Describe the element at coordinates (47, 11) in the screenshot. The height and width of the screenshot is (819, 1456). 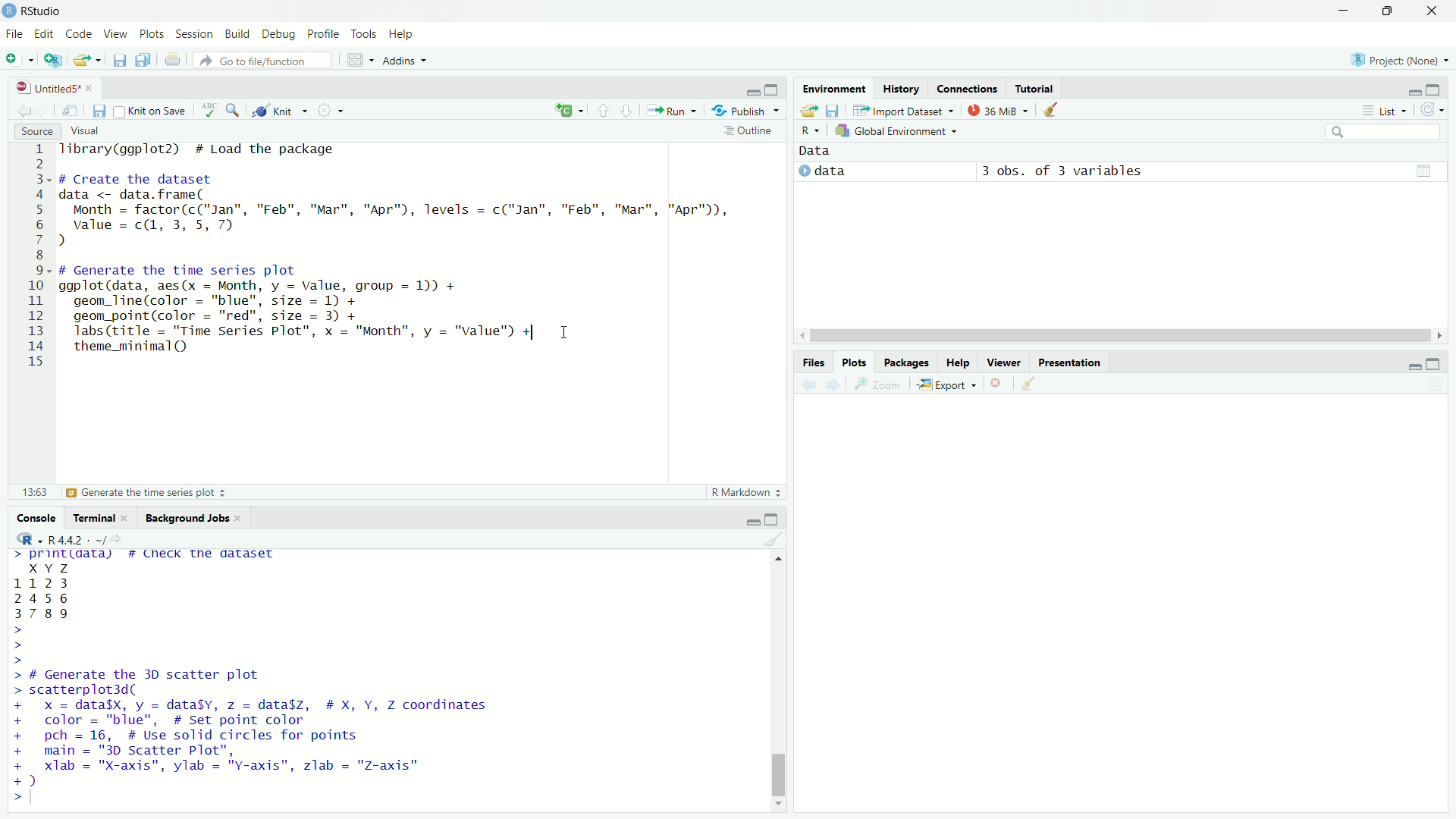
I see `RStudio` at that location.